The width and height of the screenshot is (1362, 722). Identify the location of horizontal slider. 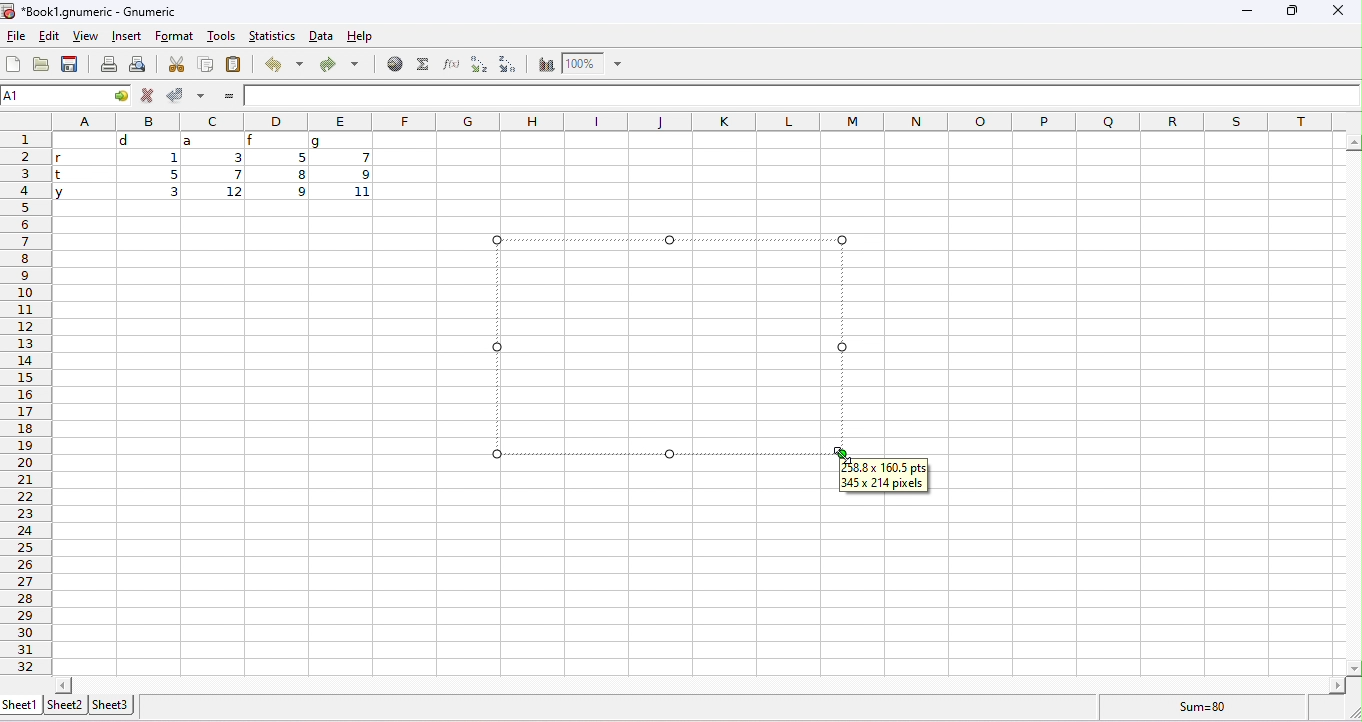
(699, 686).